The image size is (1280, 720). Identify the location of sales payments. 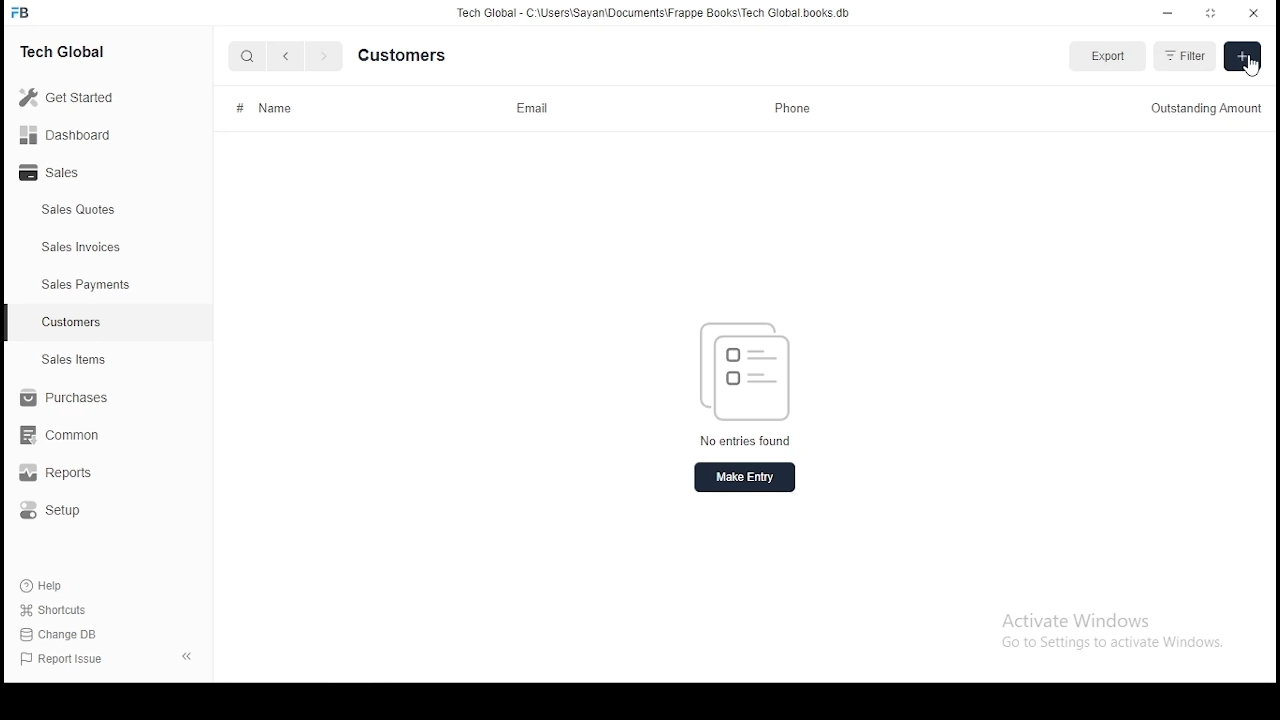
(82, 285).